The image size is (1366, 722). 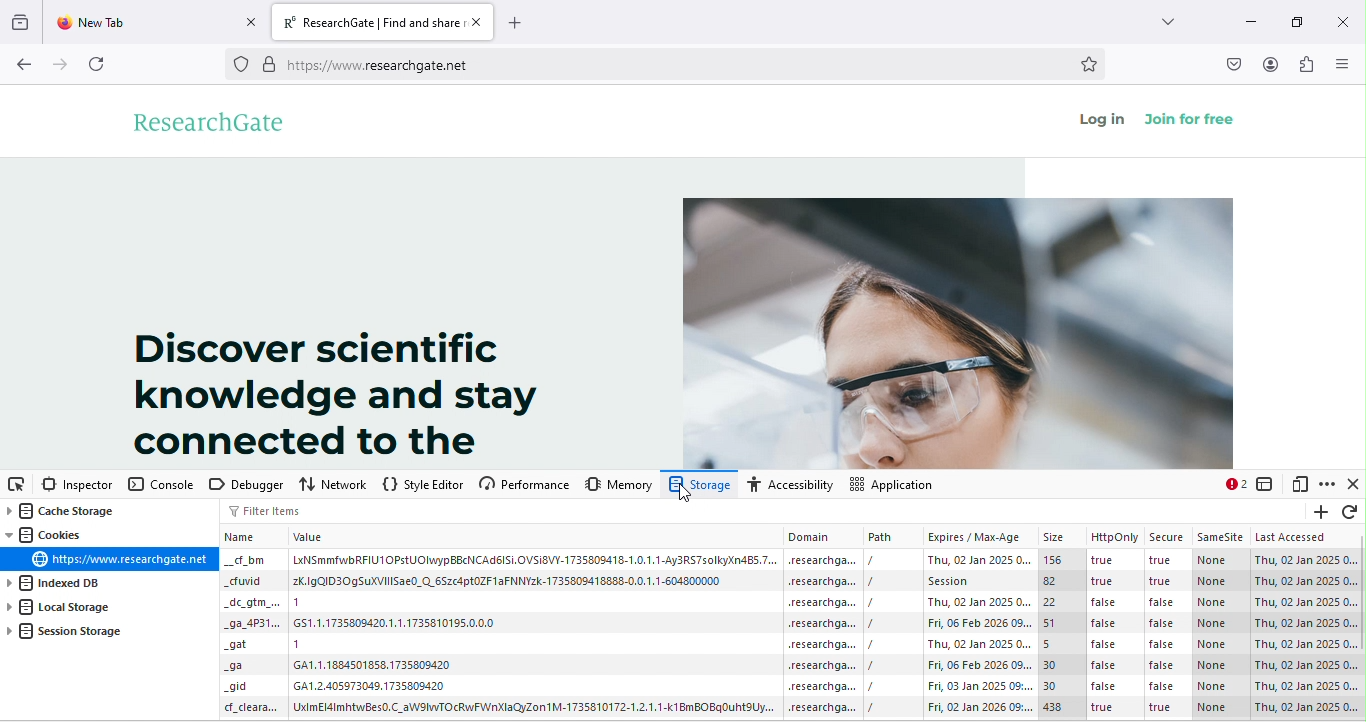 What do you see at coordinates (964, 581) in the screenshot?
I see `session` at bounding box center [964, 581].